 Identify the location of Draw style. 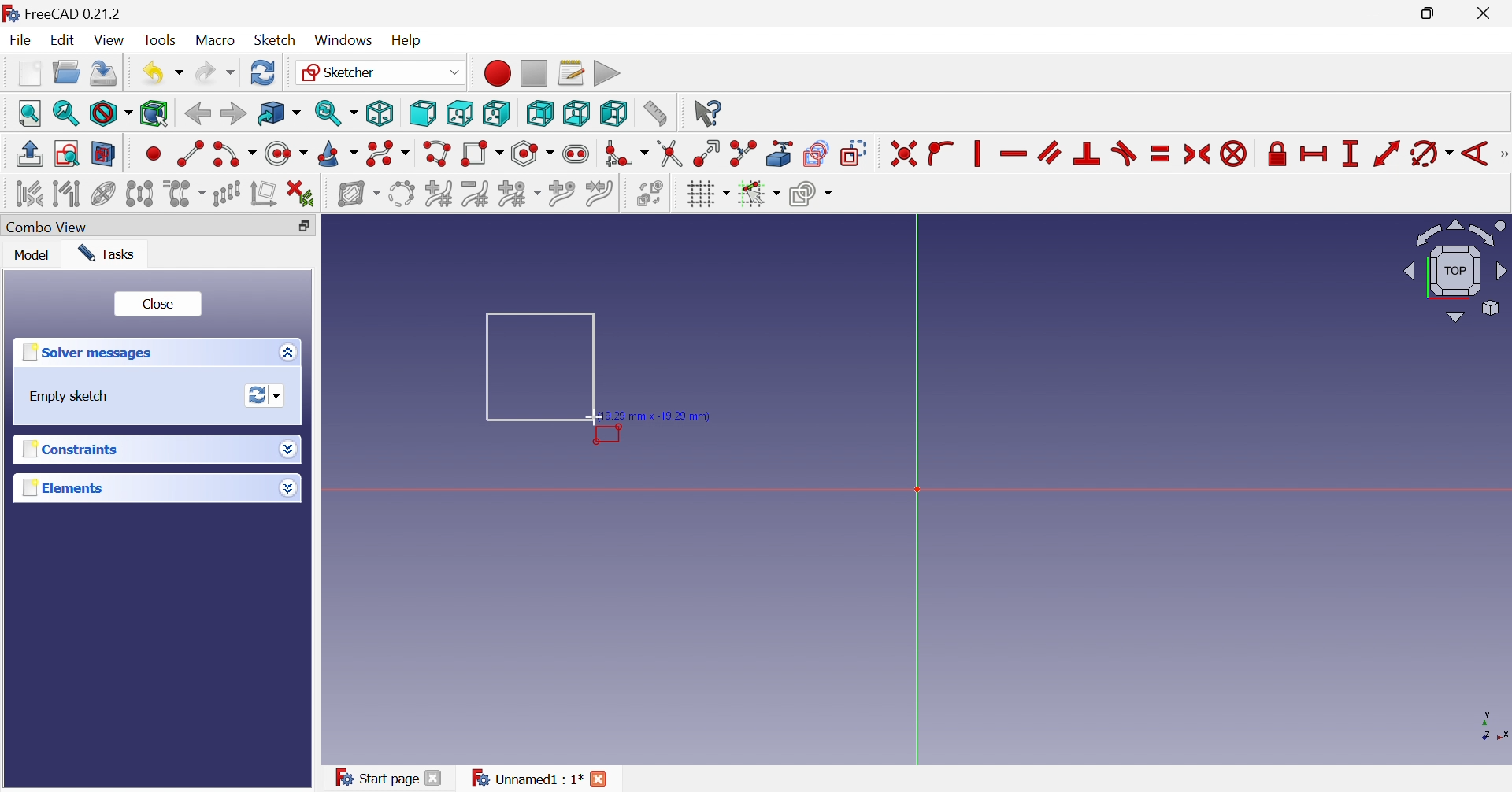
(110, 114).